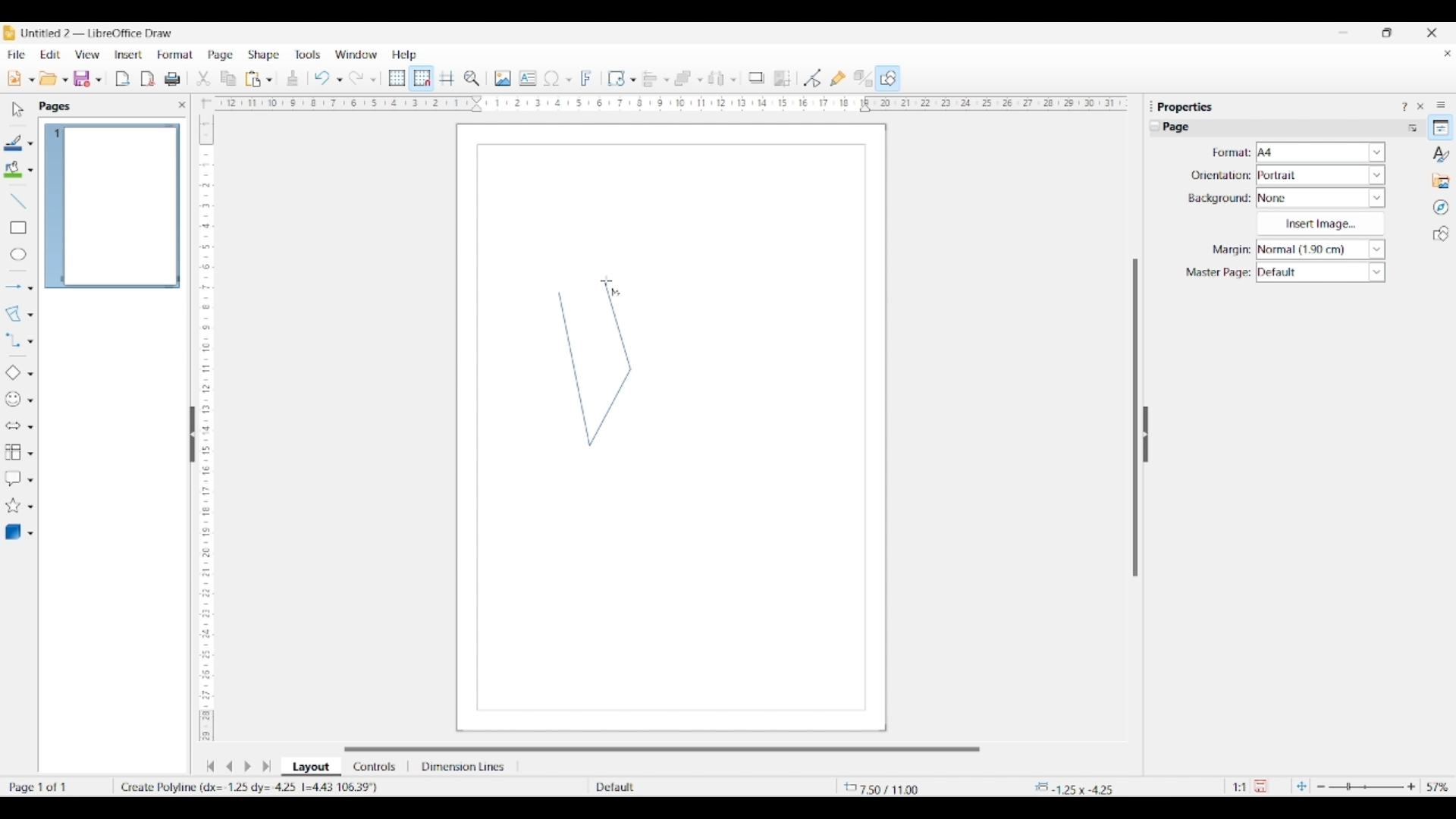 The height and width of the screenshot is (819, 1456). I want to click on Selected alignment, so click(650, 77).